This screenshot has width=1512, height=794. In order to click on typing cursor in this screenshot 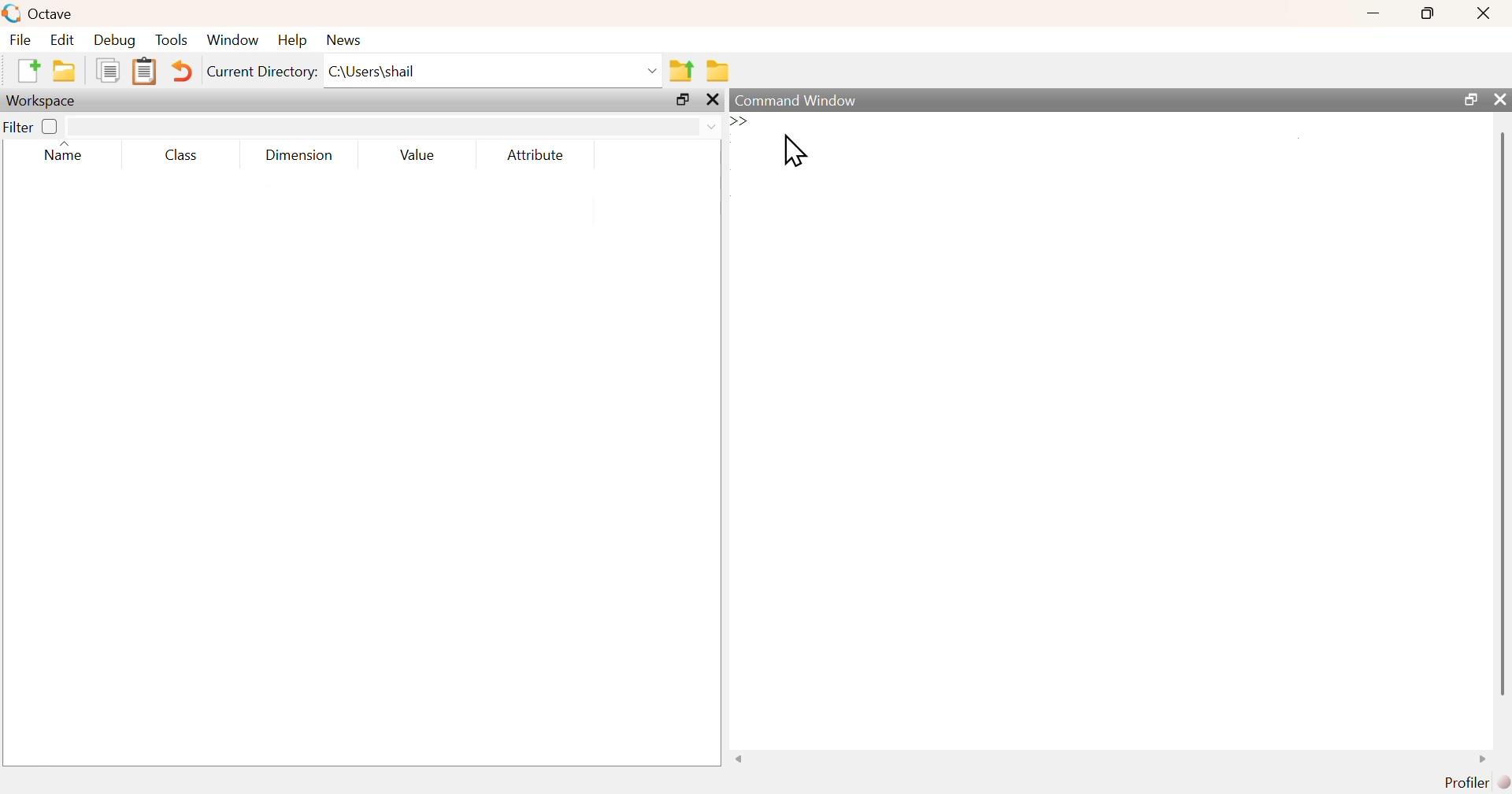, I will do `click(747, 121)`.